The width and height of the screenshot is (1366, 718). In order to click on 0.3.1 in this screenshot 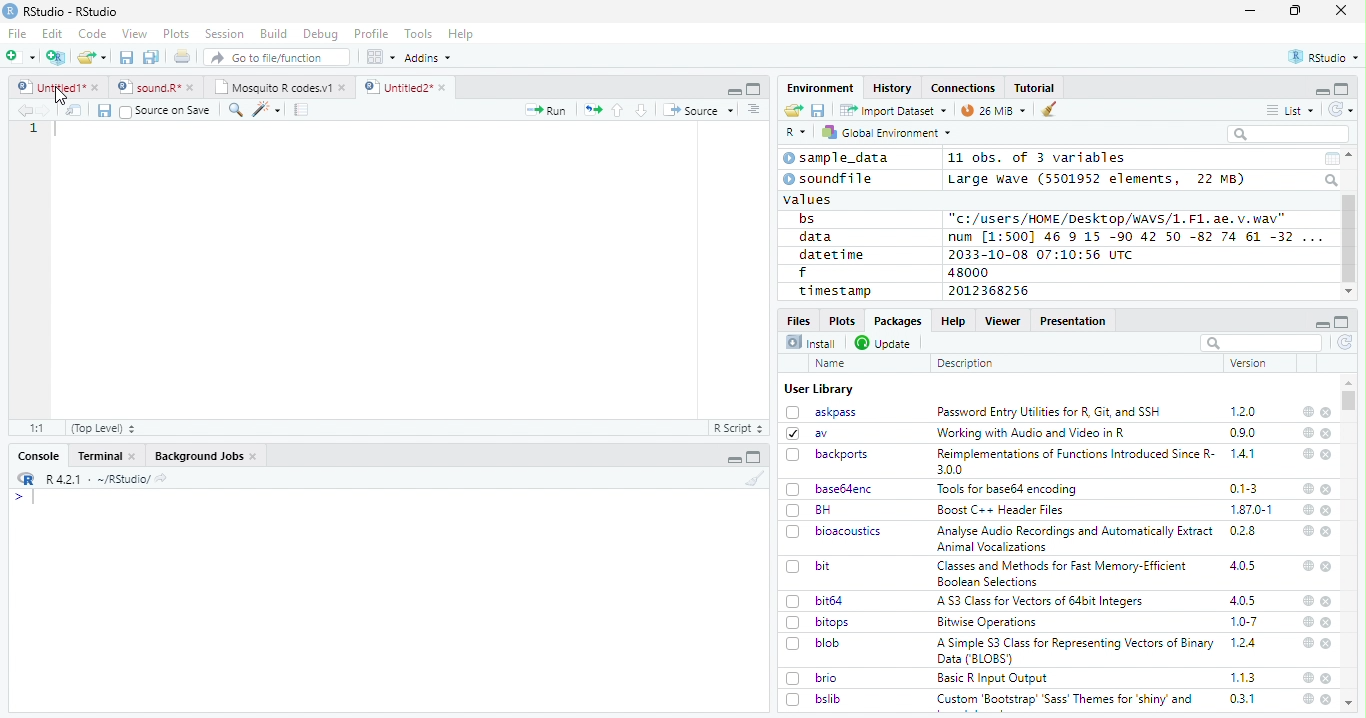, I will do `click(1242, 698)`.